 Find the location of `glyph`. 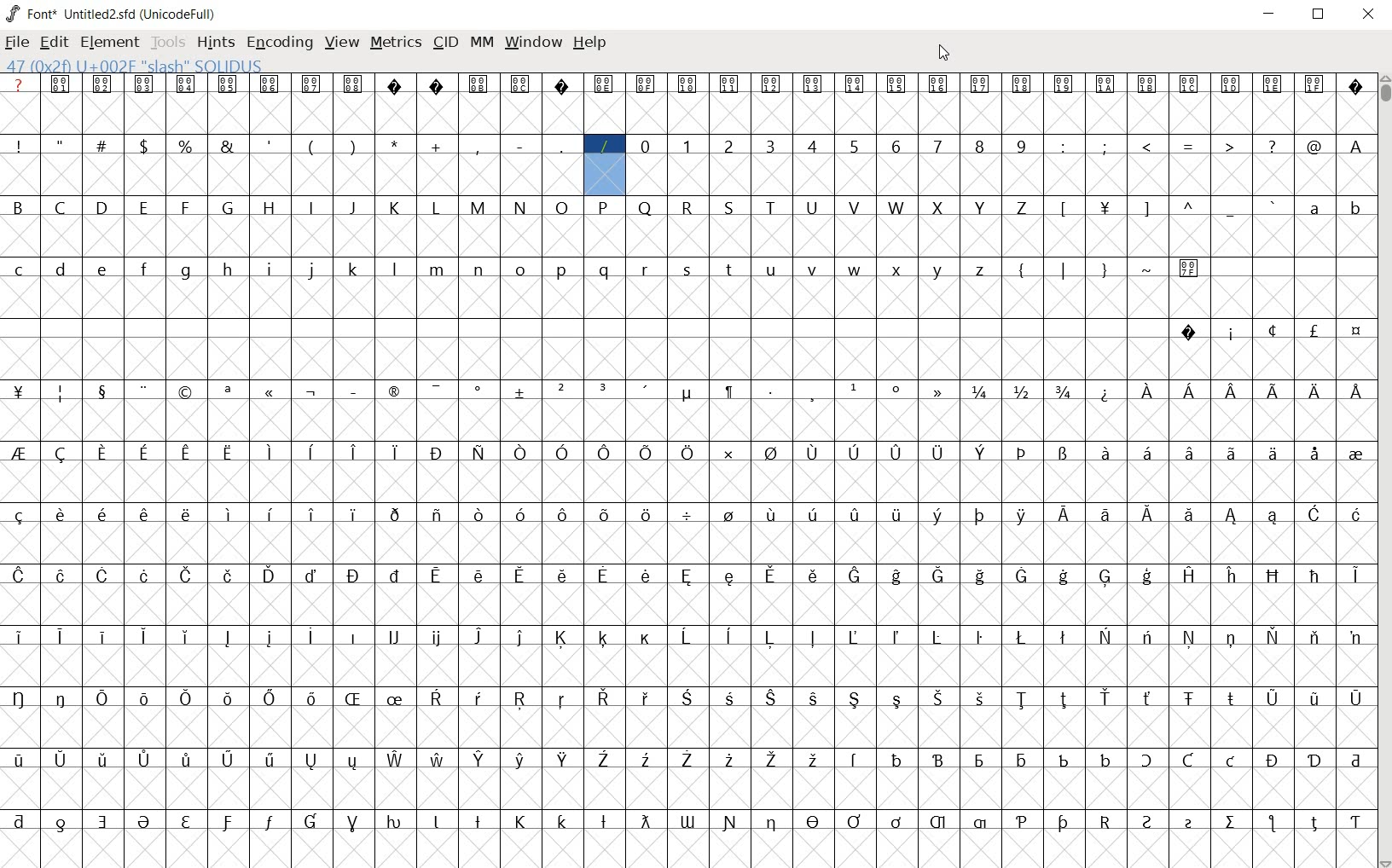

glyph is located at coordinates (61, 514).